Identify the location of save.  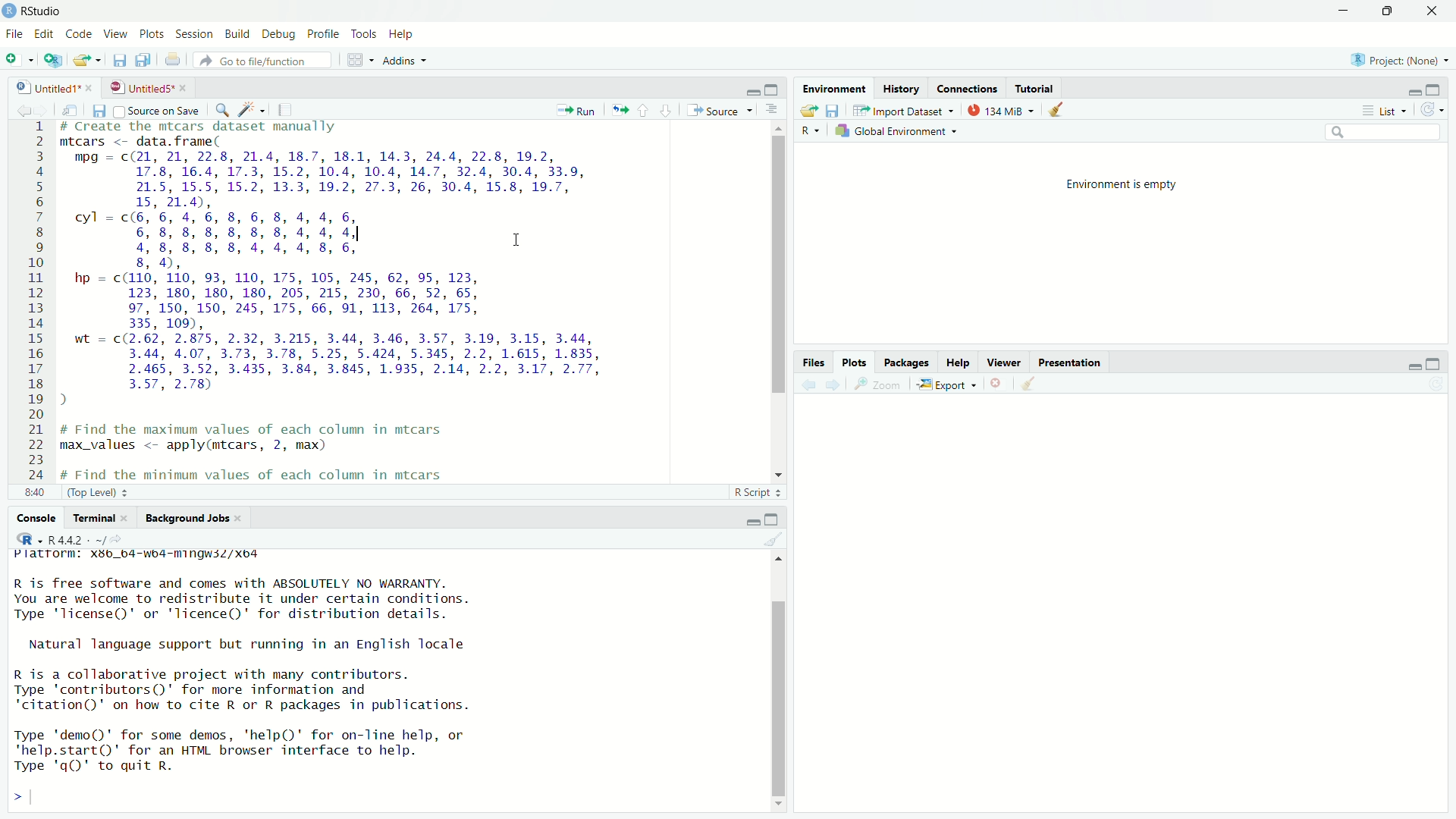
(118, 62).